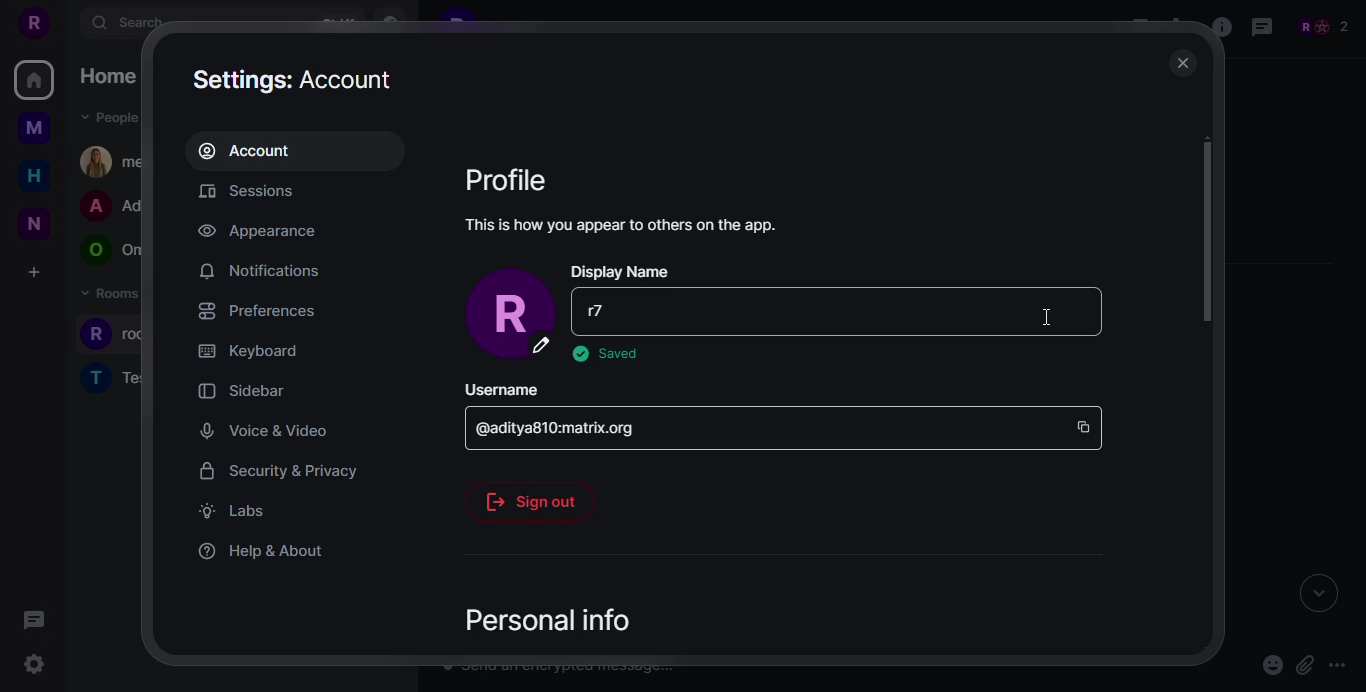 This screenshot has width=1366, height=692. Describe the element at coordinates (507, 315) in the screenshot. I see `profile pic` at that location.